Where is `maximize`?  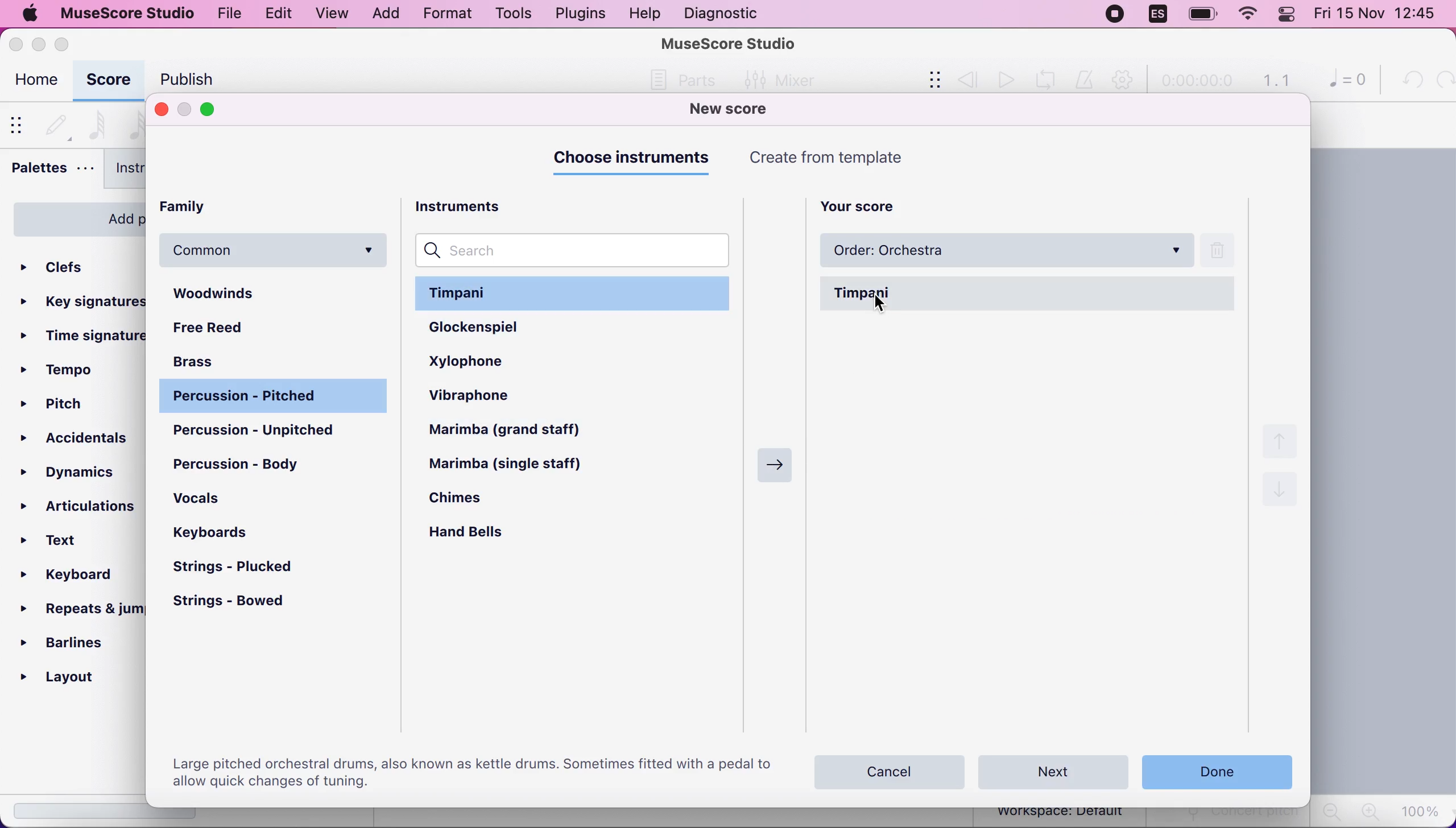
maximize is located at coordinates (67, 44).